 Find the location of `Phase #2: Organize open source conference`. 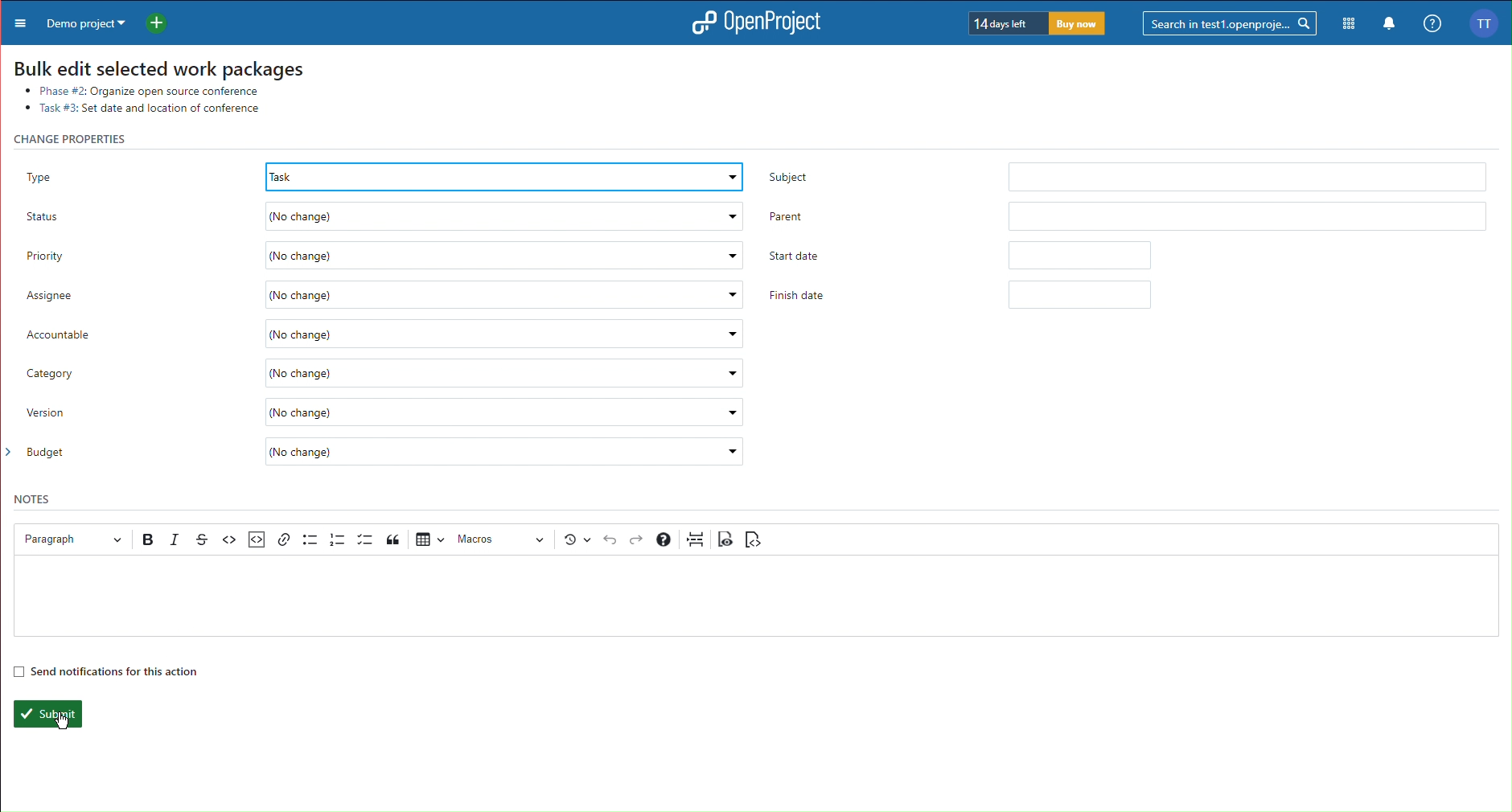

Phase #2: Organize open source conference is located at coordinates (135, 89).